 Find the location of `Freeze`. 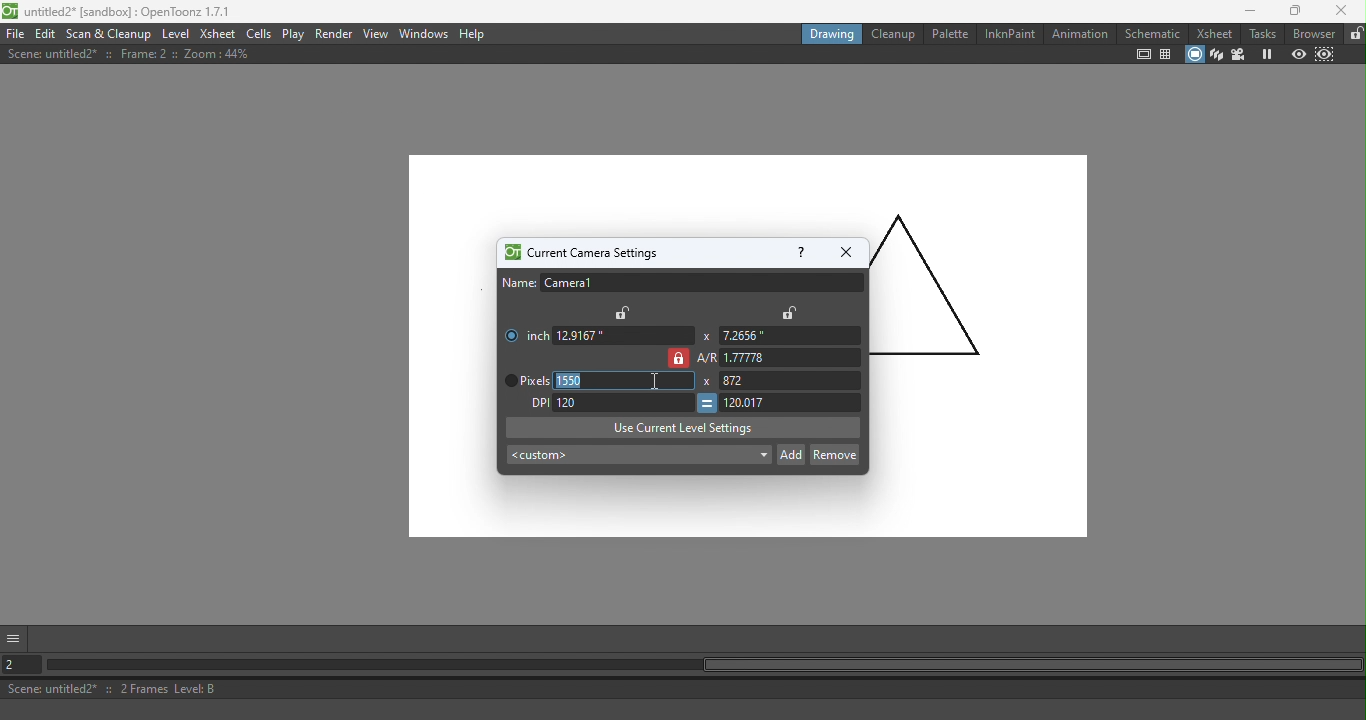

Freeze is located at coordinates (1263, 54).